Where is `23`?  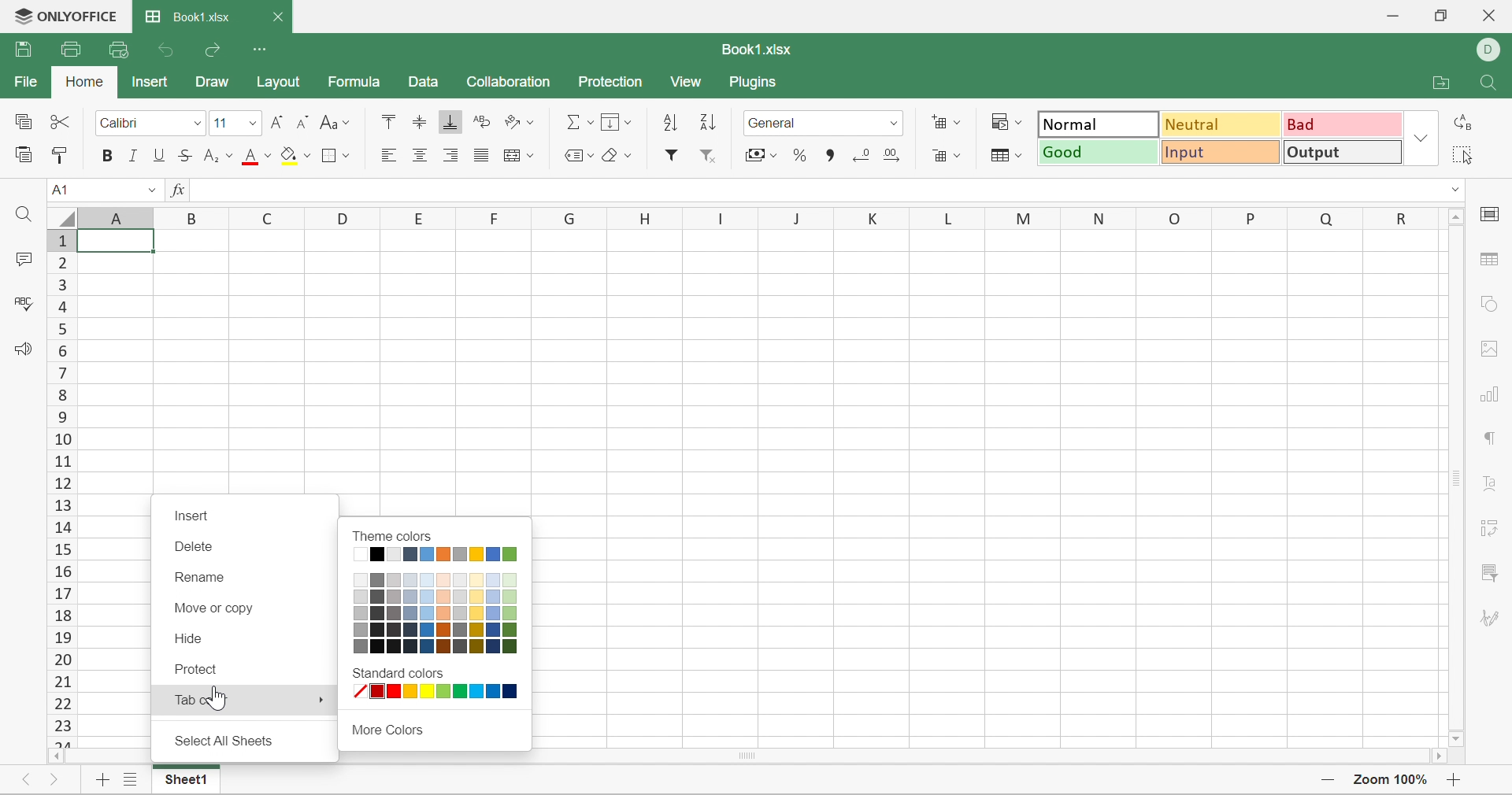
23 is located at coordinates (68, 728).